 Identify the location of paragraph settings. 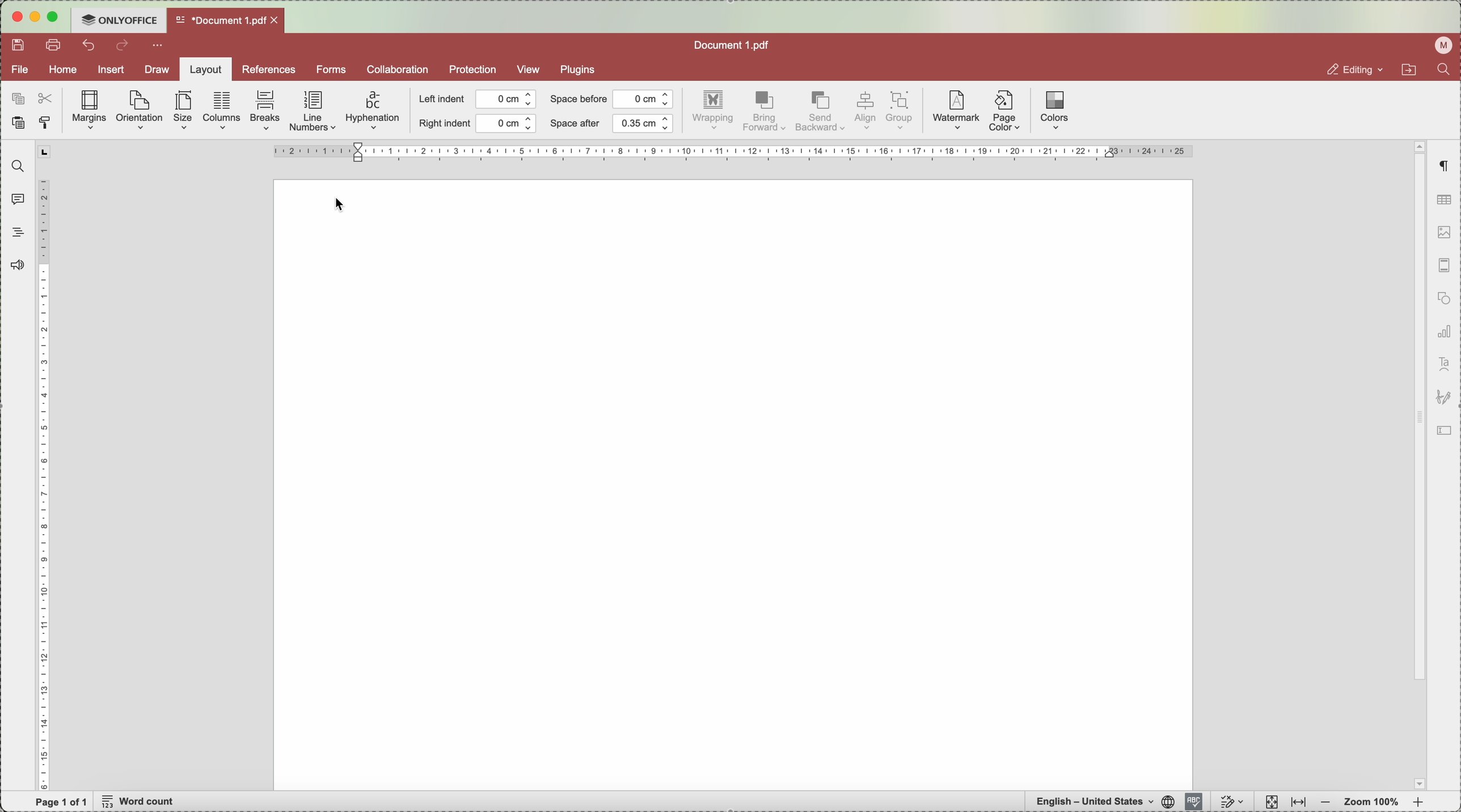
(1443, 167).